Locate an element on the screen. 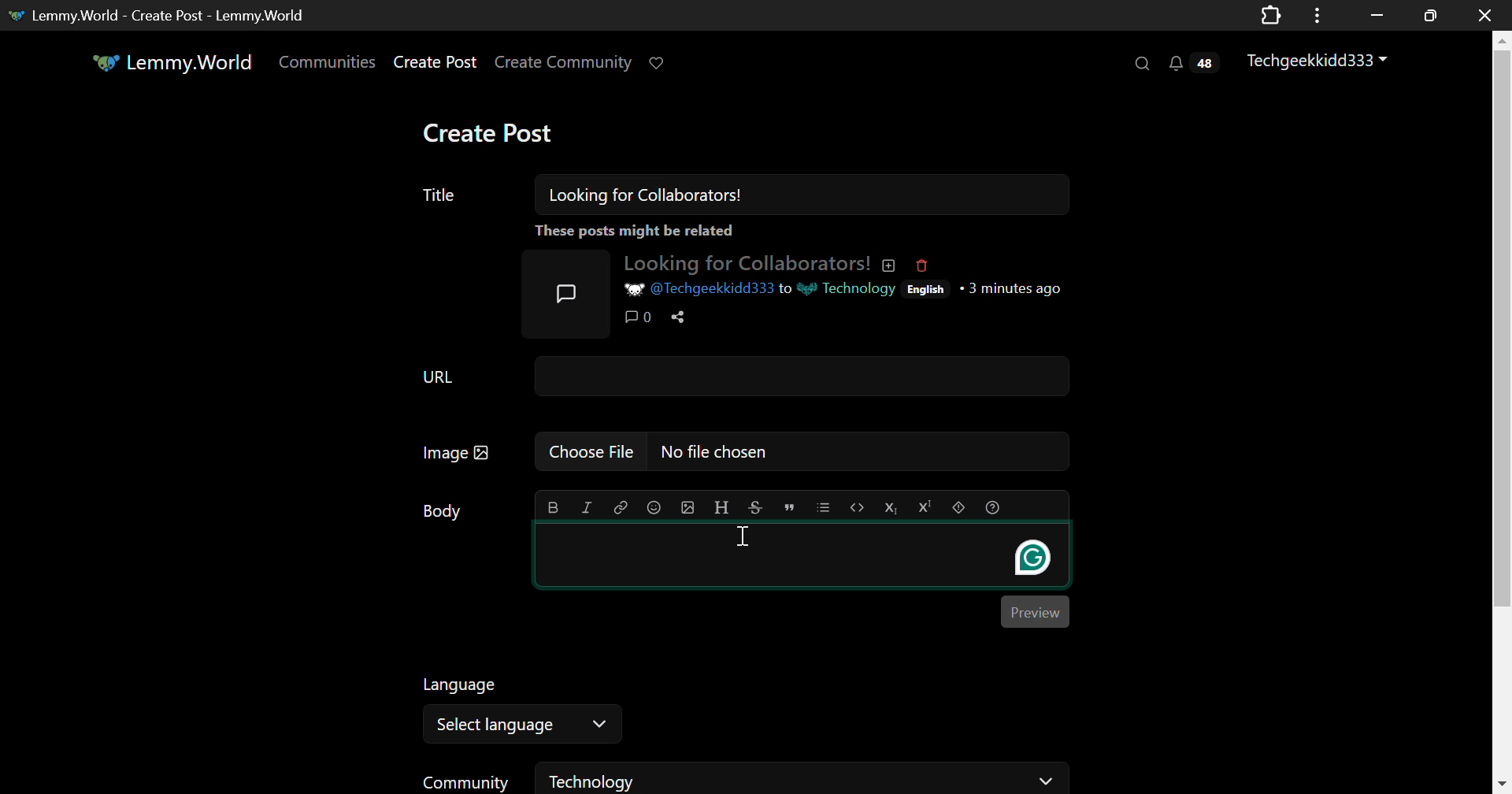 This screenshot has height=794, width=1512. italic is located at coordinates (587, 508).